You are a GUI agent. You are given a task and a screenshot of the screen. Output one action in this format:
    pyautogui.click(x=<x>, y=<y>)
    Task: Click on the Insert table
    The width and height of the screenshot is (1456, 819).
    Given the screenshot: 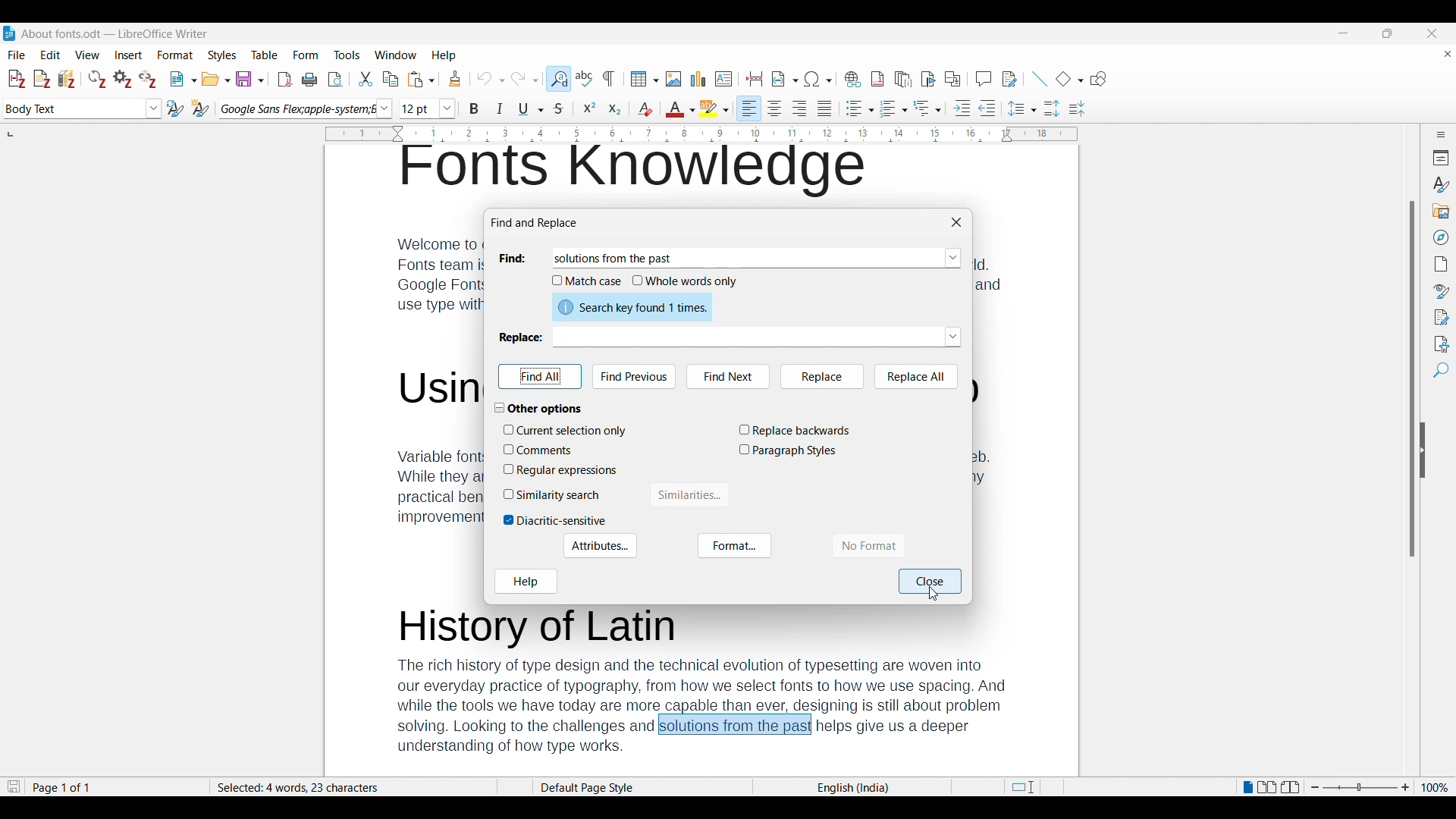 What is the action you would take?
    pyautogui.click(x=645, y=79)
    